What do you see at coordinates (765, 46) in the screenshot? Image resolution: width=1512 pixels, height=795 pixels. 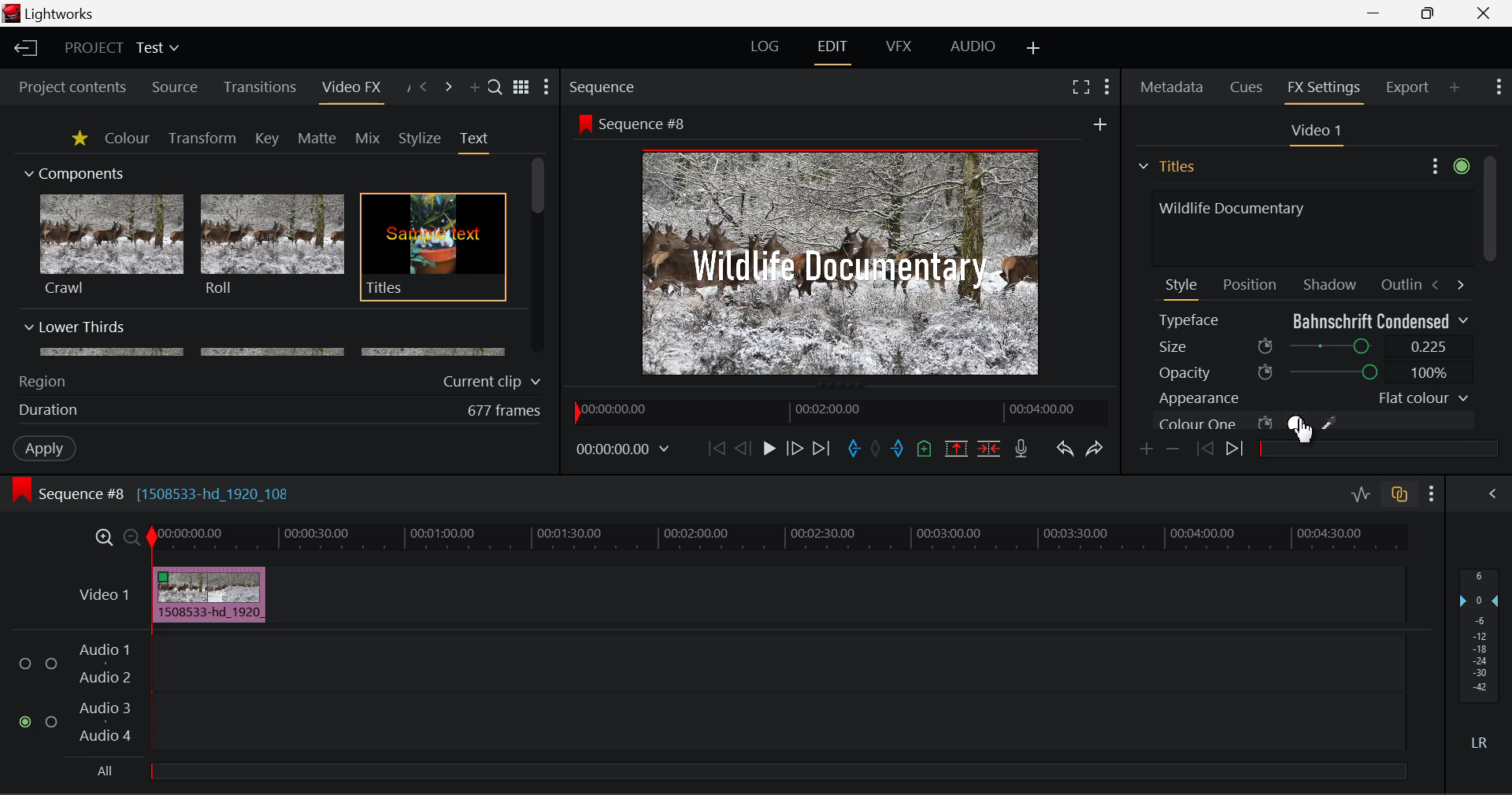 I see `LOG Layout` at bounding box center [765, 46].